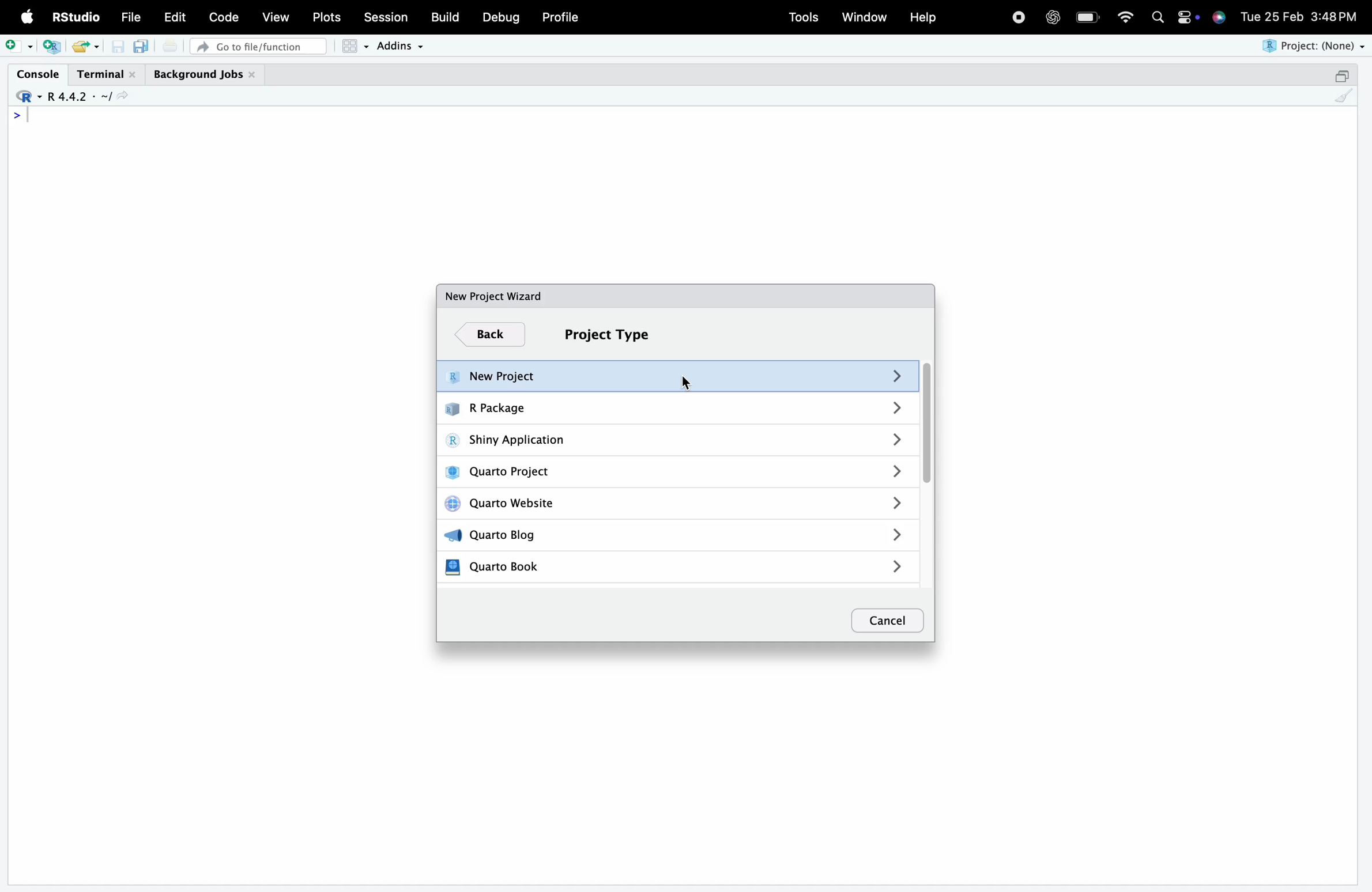  I want to click on Code, so click(223, 17).